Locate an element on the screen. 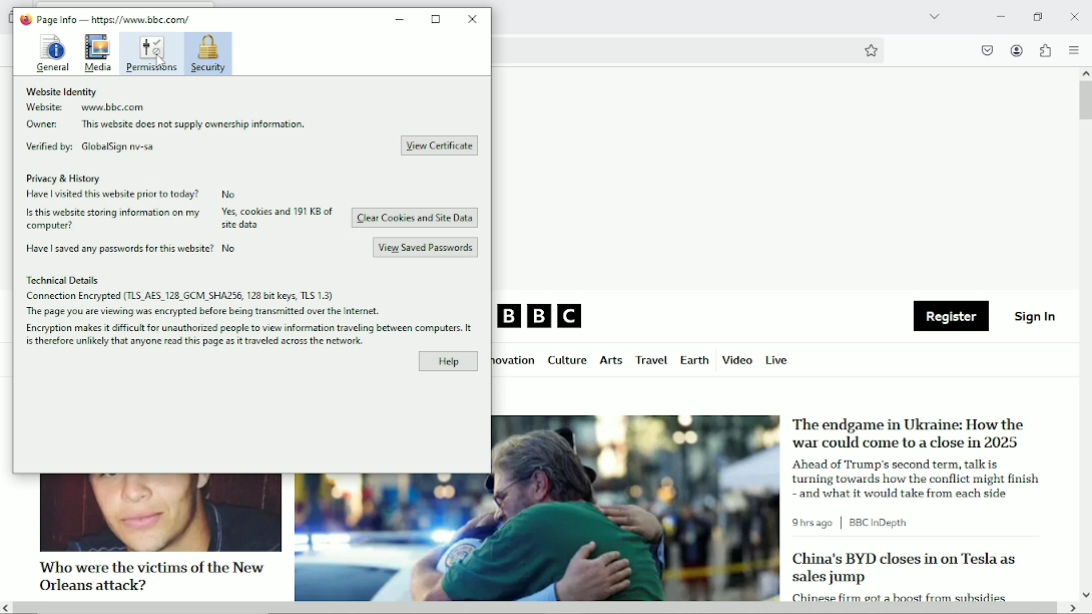 The image size is (1092, 614). Website Identity is located at coordinates (63, 90).